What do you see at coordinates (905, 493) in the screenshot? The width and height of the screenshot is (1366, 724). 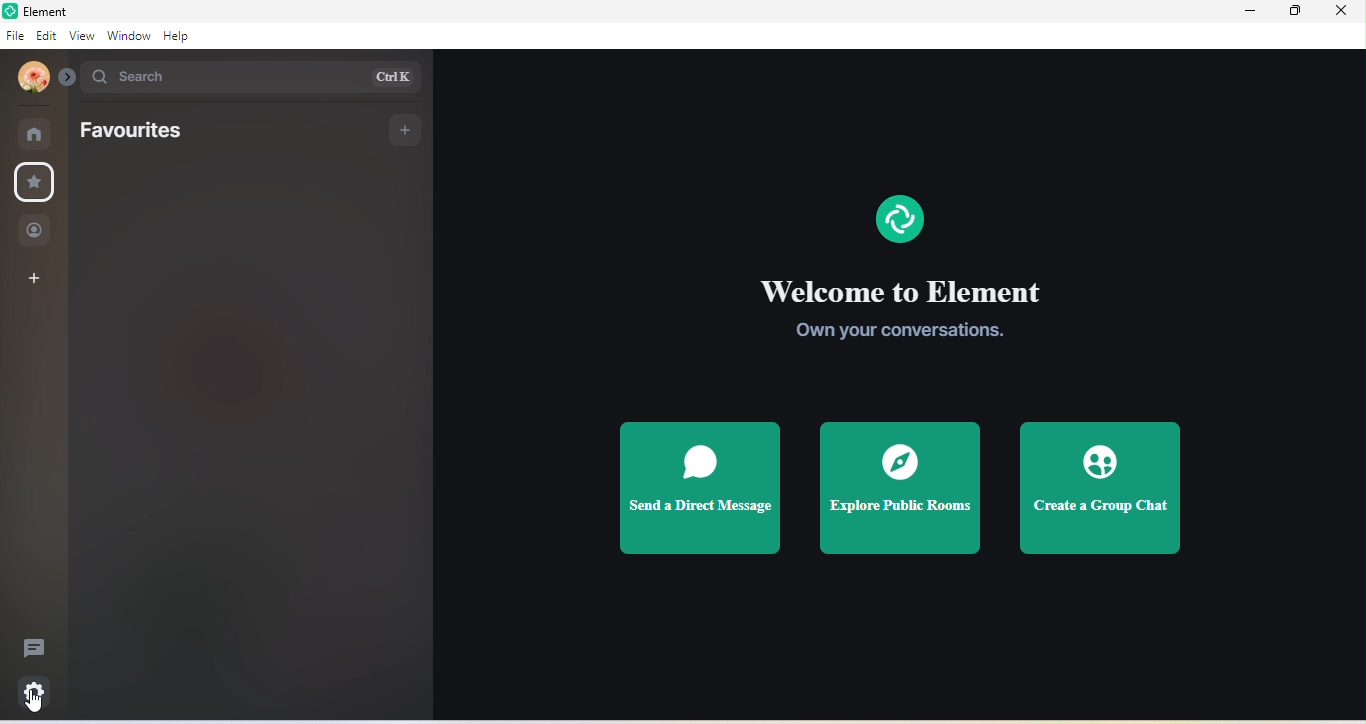 I see `explore public rooms` at bounding box center [905, 493].